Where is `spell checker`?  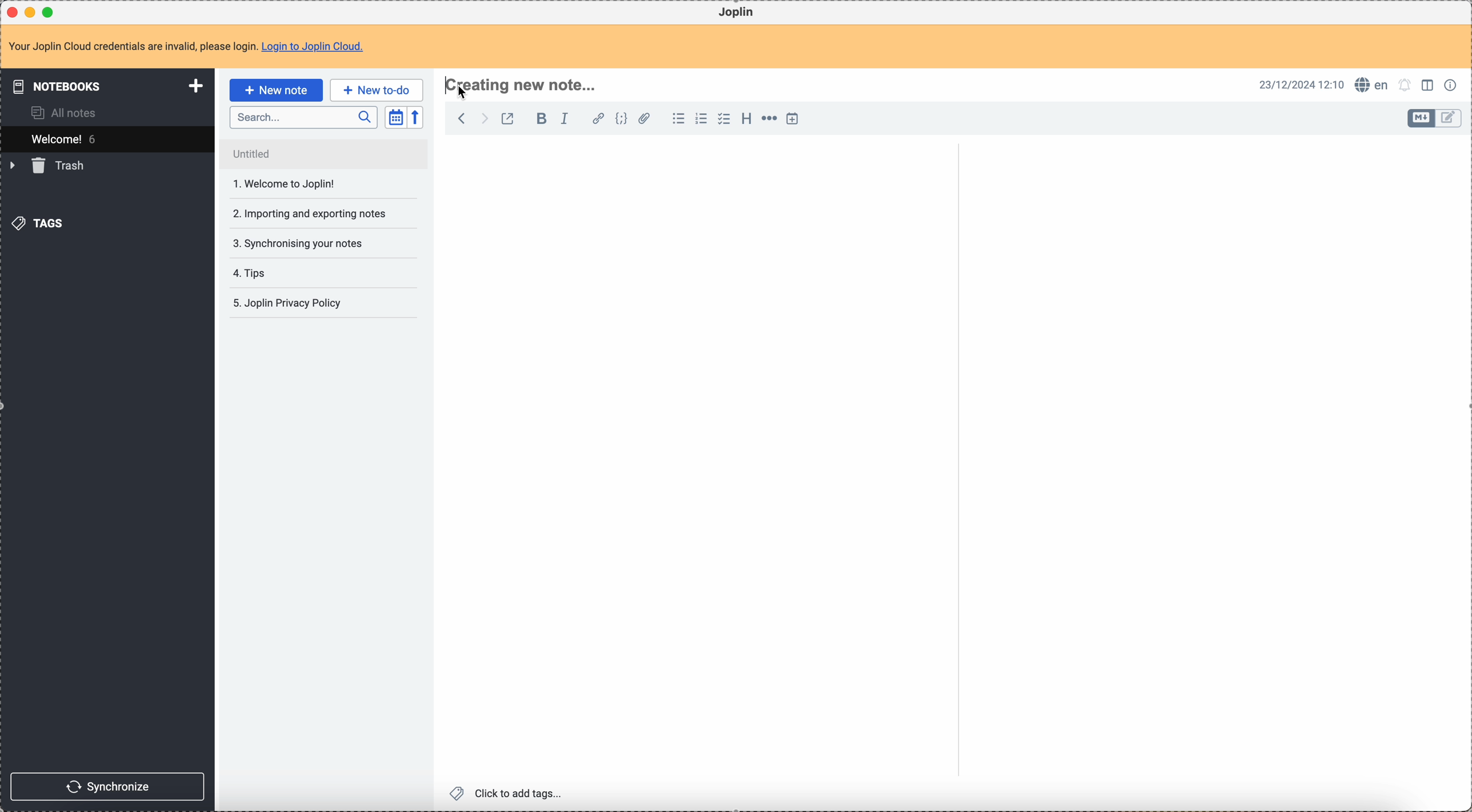
spell checker is located at coordinates (1372, 85).